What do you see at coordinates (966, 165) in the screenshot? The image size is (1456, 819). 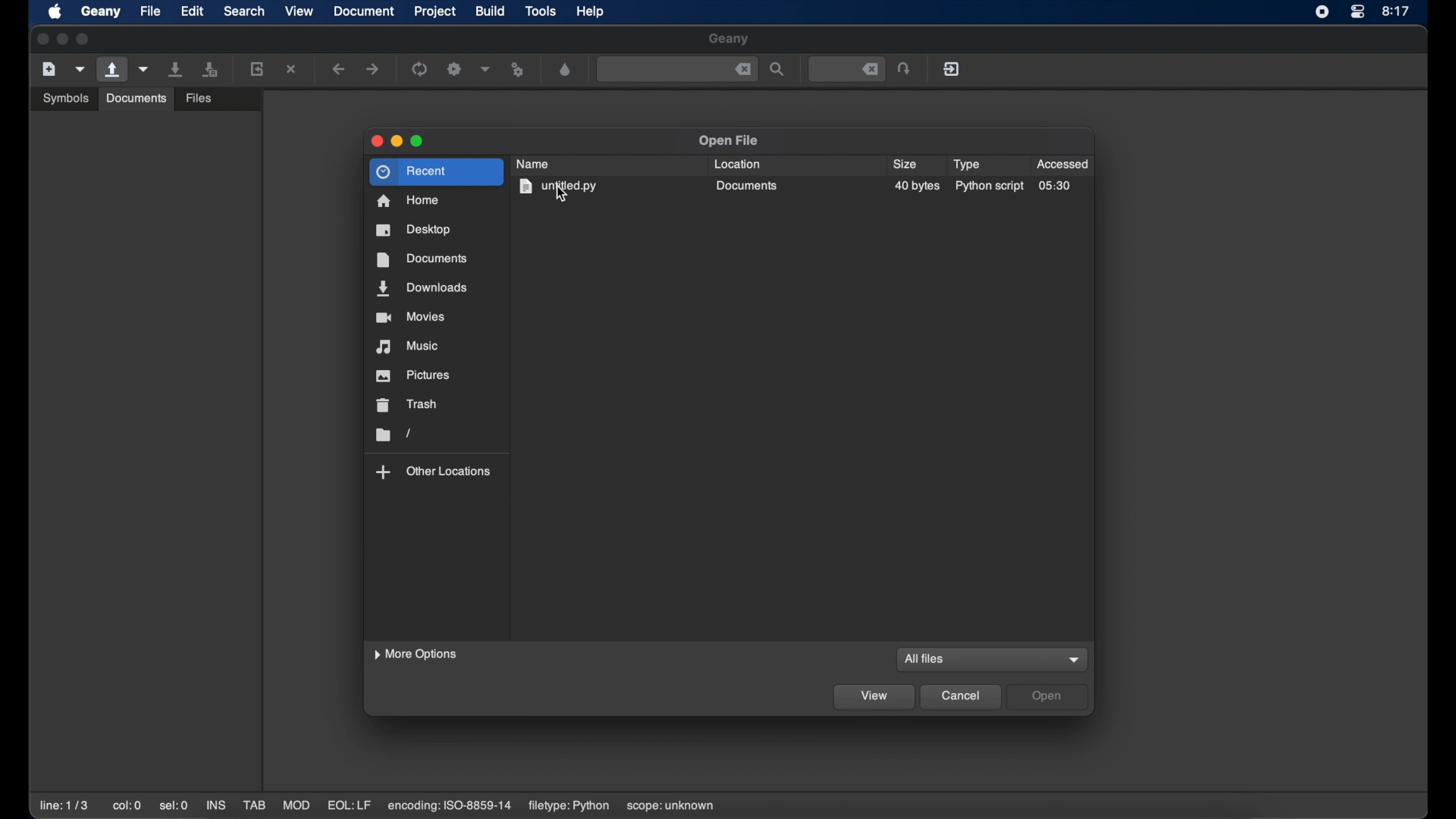 I see `type` at bounding box center [966, 165].